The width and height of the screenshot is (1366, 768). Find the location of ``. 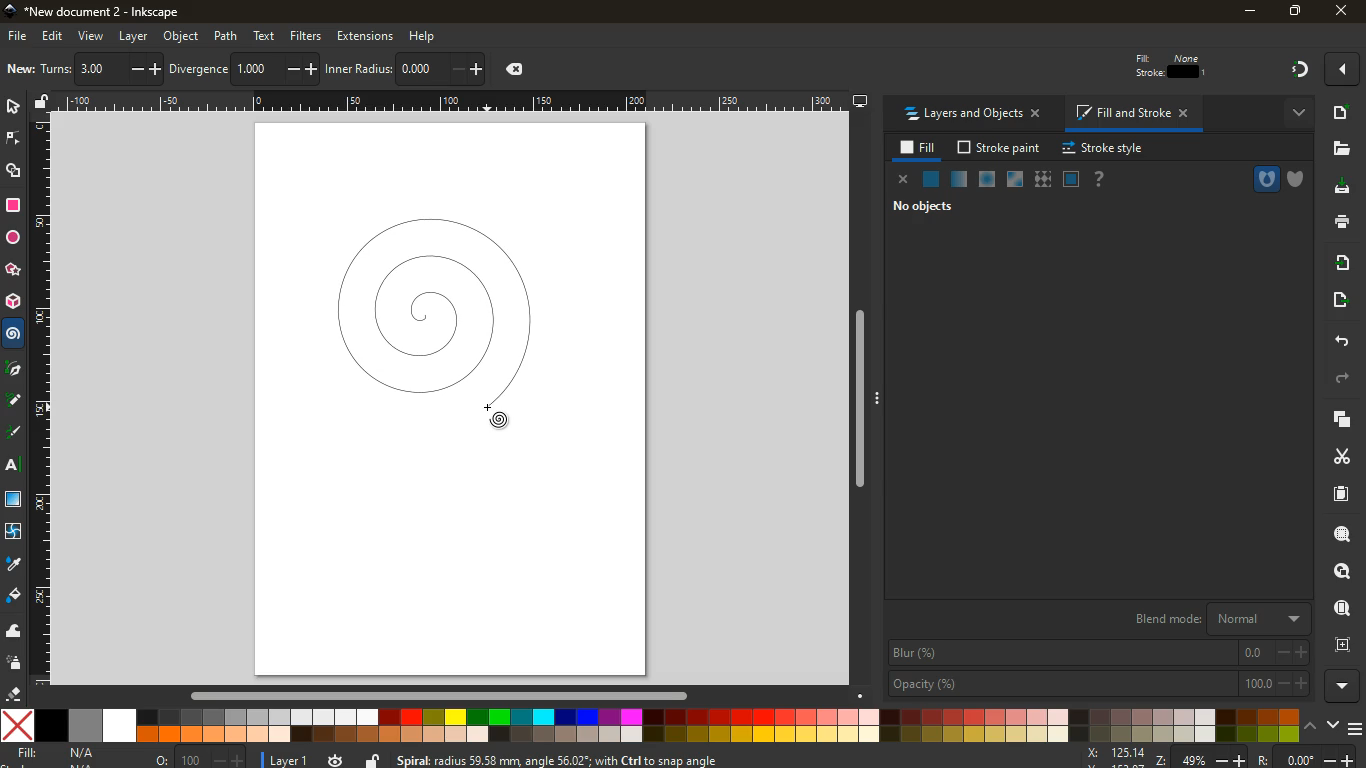

 is located at coordinates (452, 102).